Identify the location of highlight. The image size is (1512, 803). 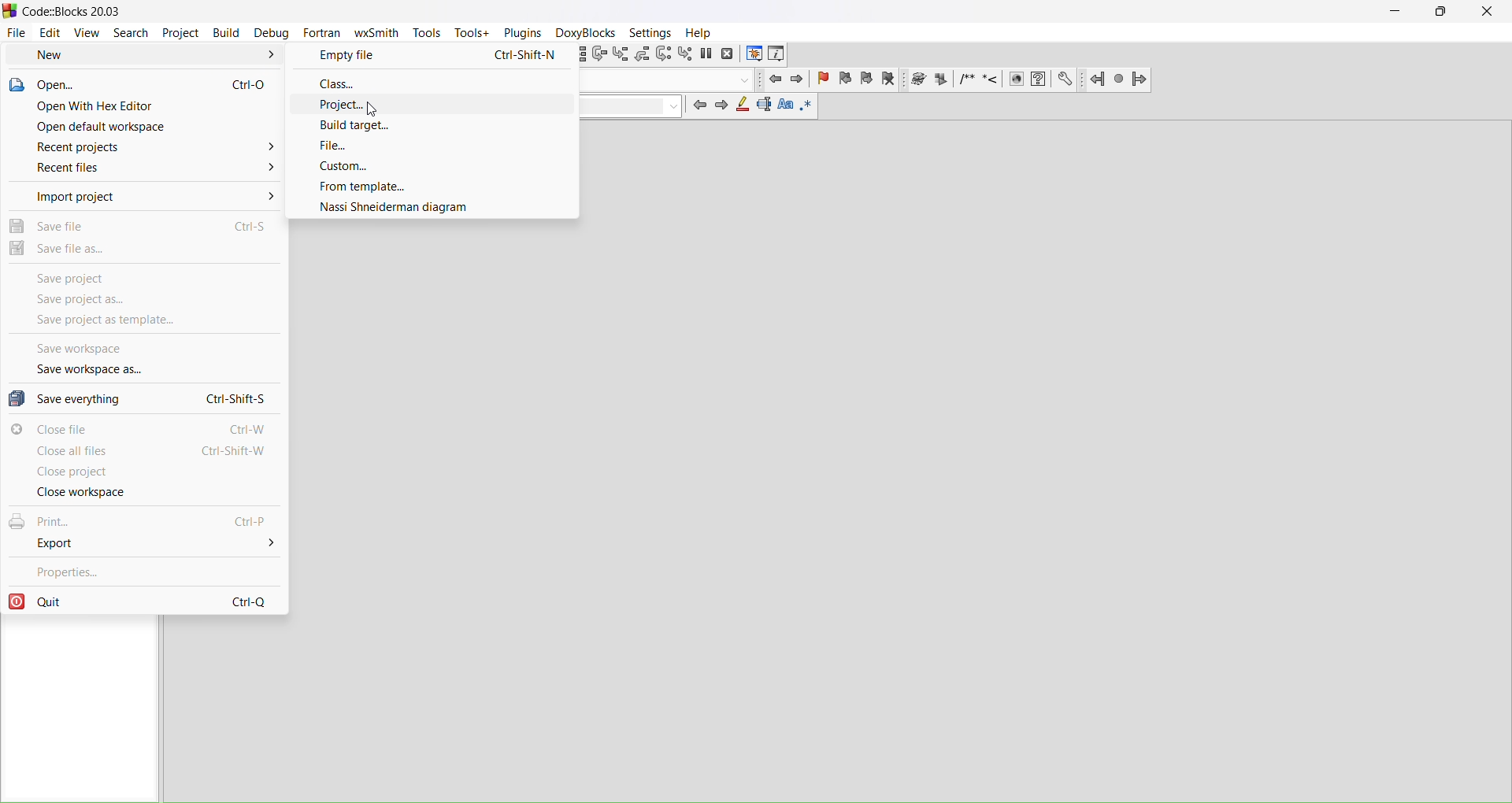
(745, 108).